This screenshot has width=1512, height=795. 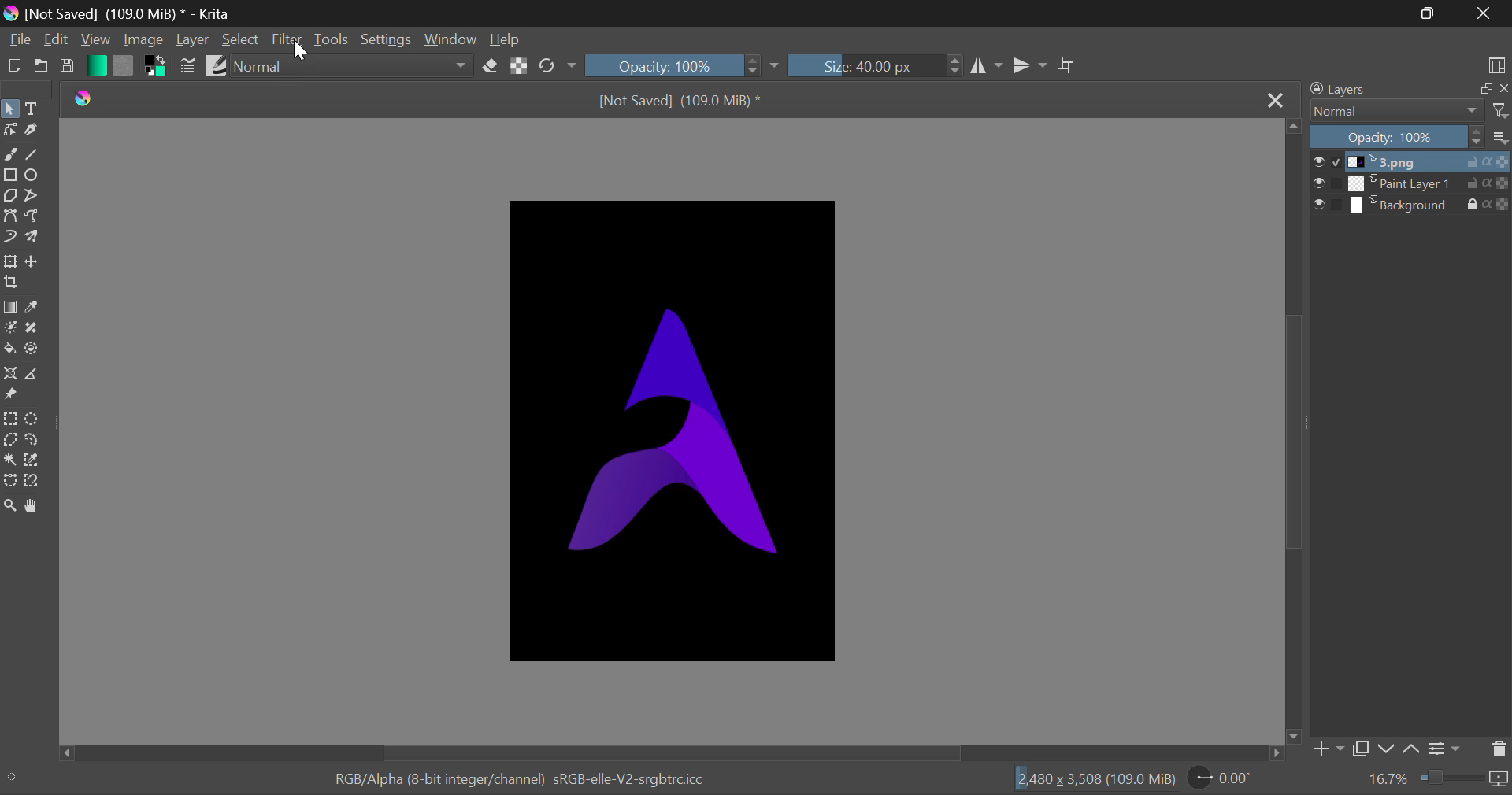 What do you see at coordinates (33, 196) in the screenshot?
I see `Polyline` at bounding box center [33, 196].